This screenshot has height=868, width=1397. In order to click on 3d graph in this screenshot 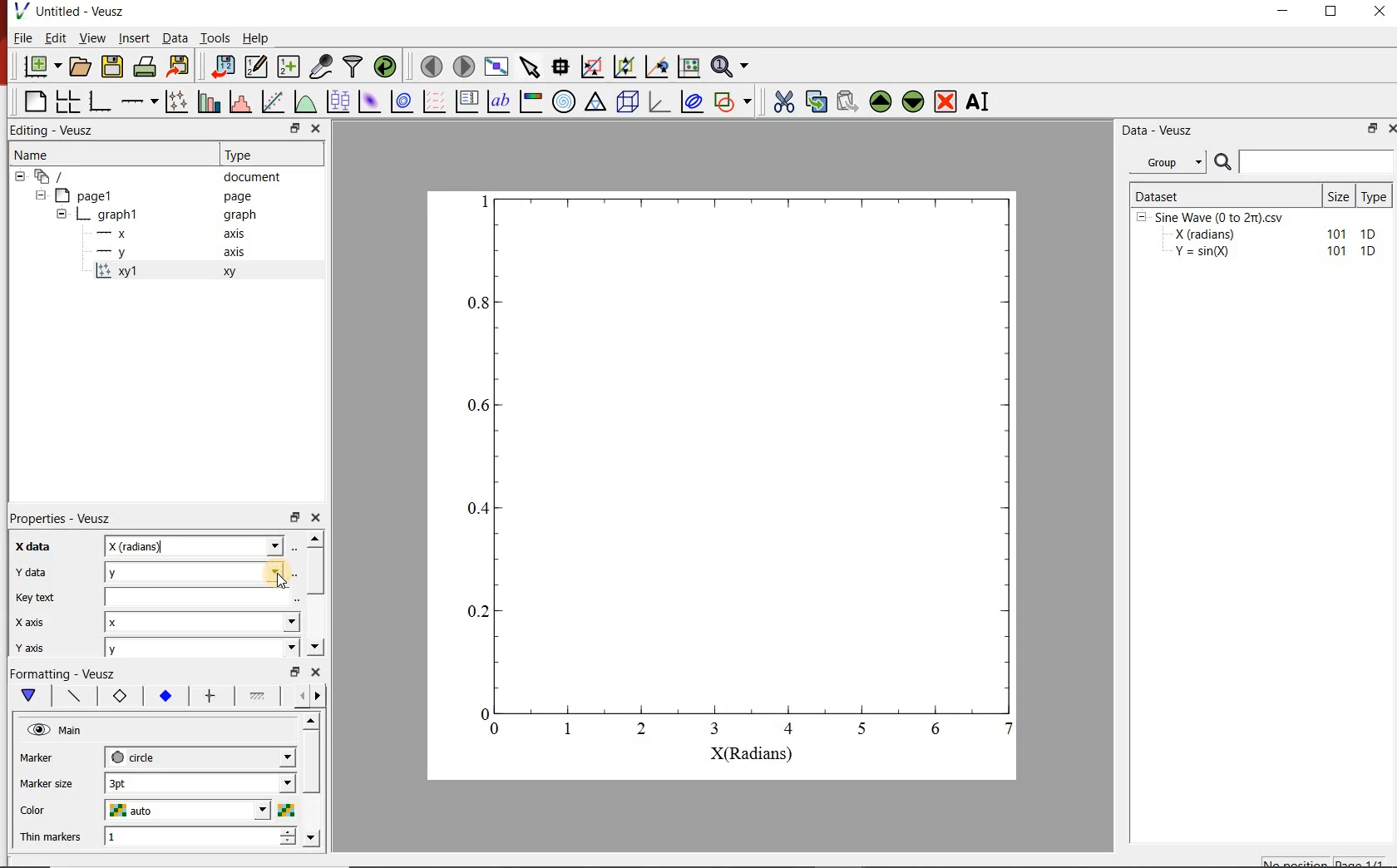, I will do `click(659, 101)`.